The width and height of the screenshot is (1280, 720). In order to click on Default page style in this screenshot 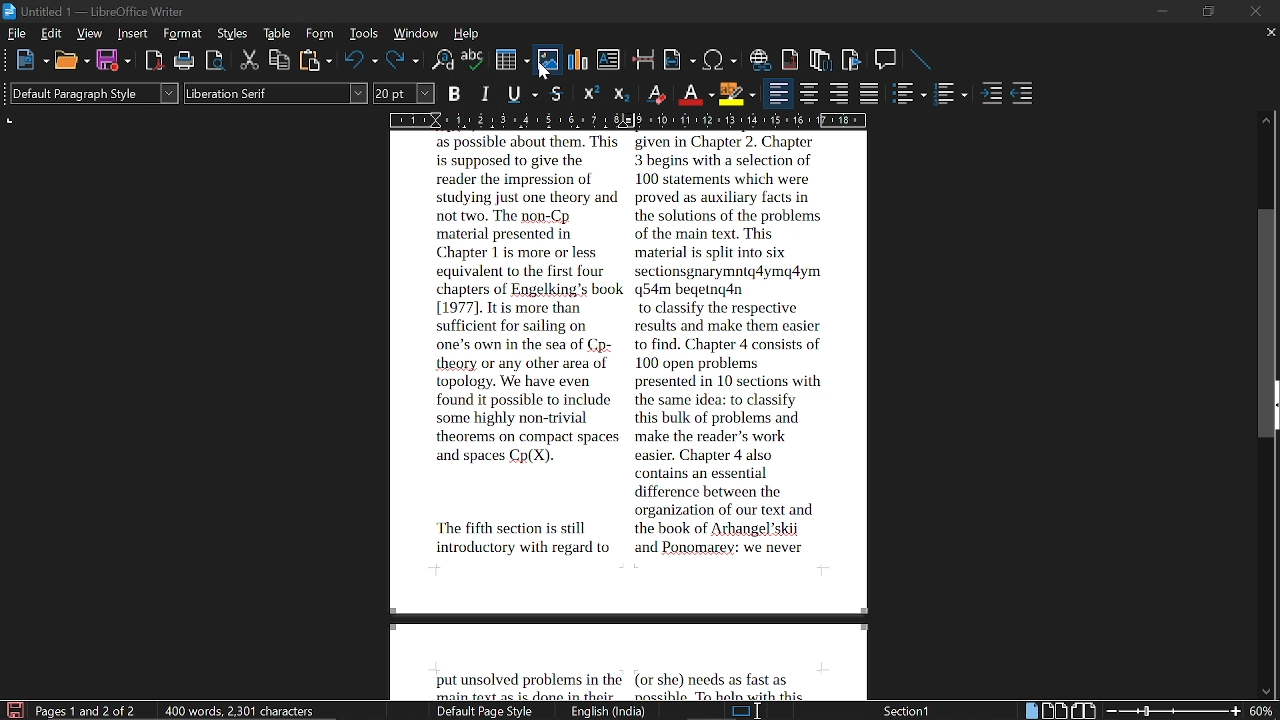, I will do `click(488, 712)`.